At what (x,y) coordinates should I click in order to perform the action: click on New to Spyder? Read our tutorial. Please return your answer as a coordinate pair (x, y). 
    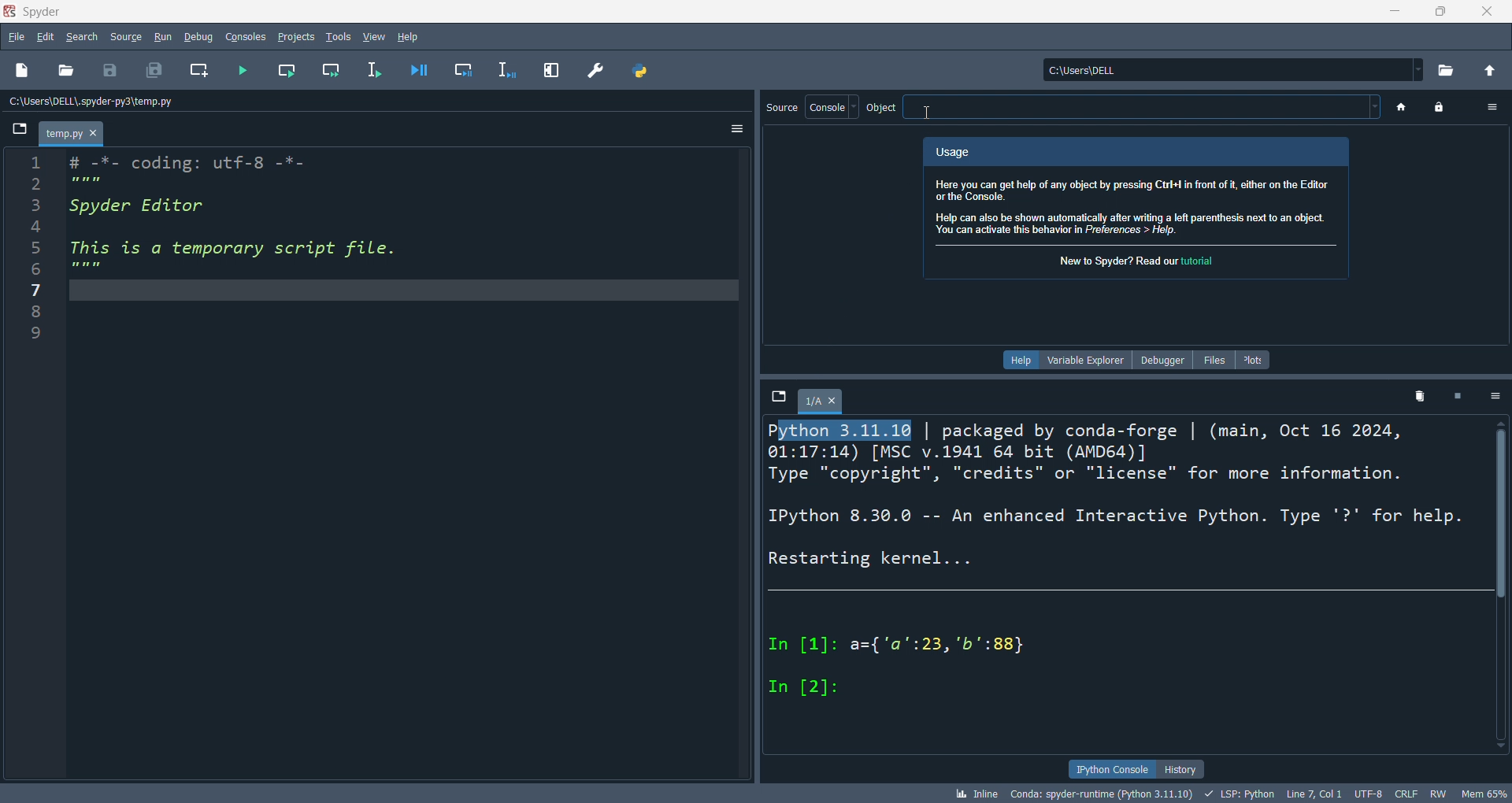
    Looking at the image, I should click on (1136, 261).